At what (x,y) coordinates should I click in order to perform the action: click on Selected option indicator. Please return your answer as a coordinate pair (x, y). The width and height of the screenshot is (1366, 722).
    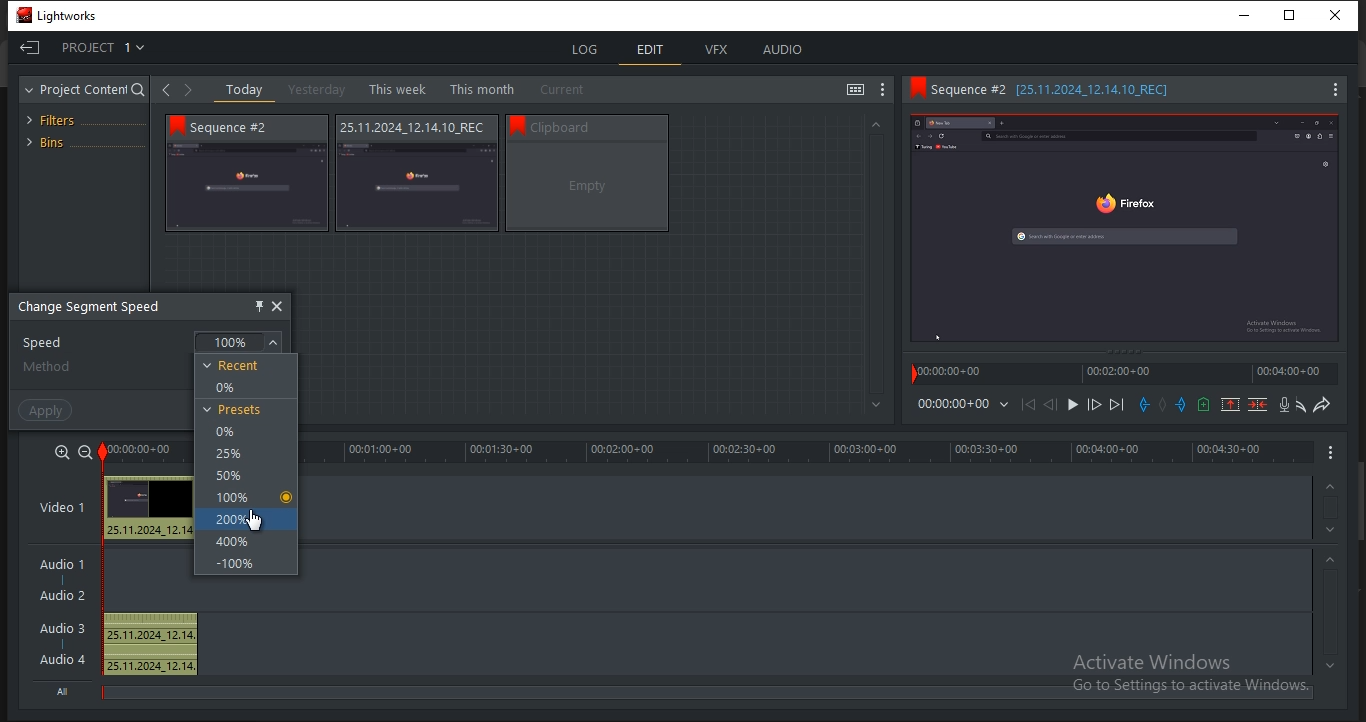
    Looking at the image, I should click on (284, 497).